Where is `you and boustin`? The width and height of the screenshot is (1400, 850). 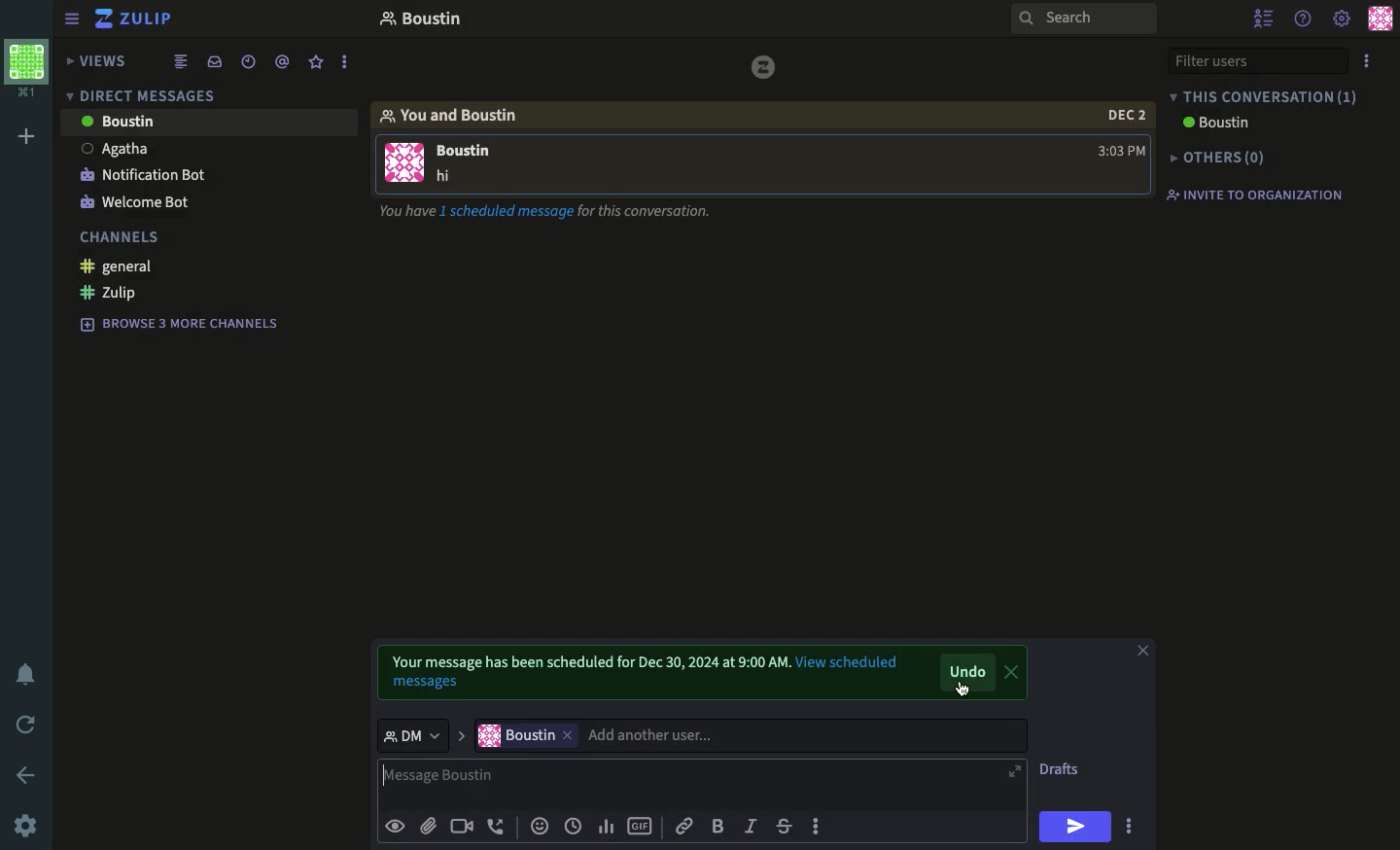
you and boustin is located at coordinates (460, 114).